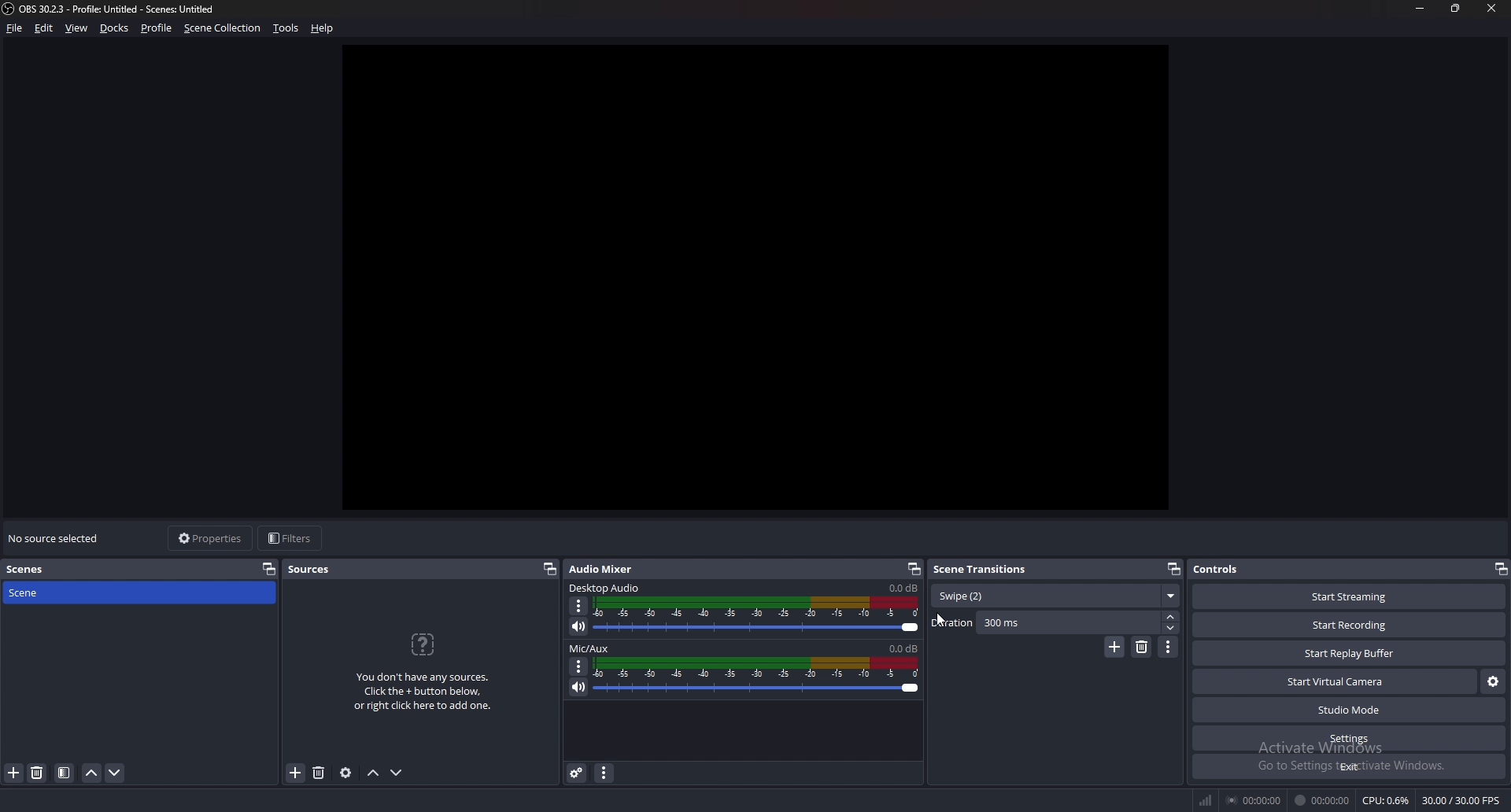  I want to click on start virtual camera, so click(1334, 681).